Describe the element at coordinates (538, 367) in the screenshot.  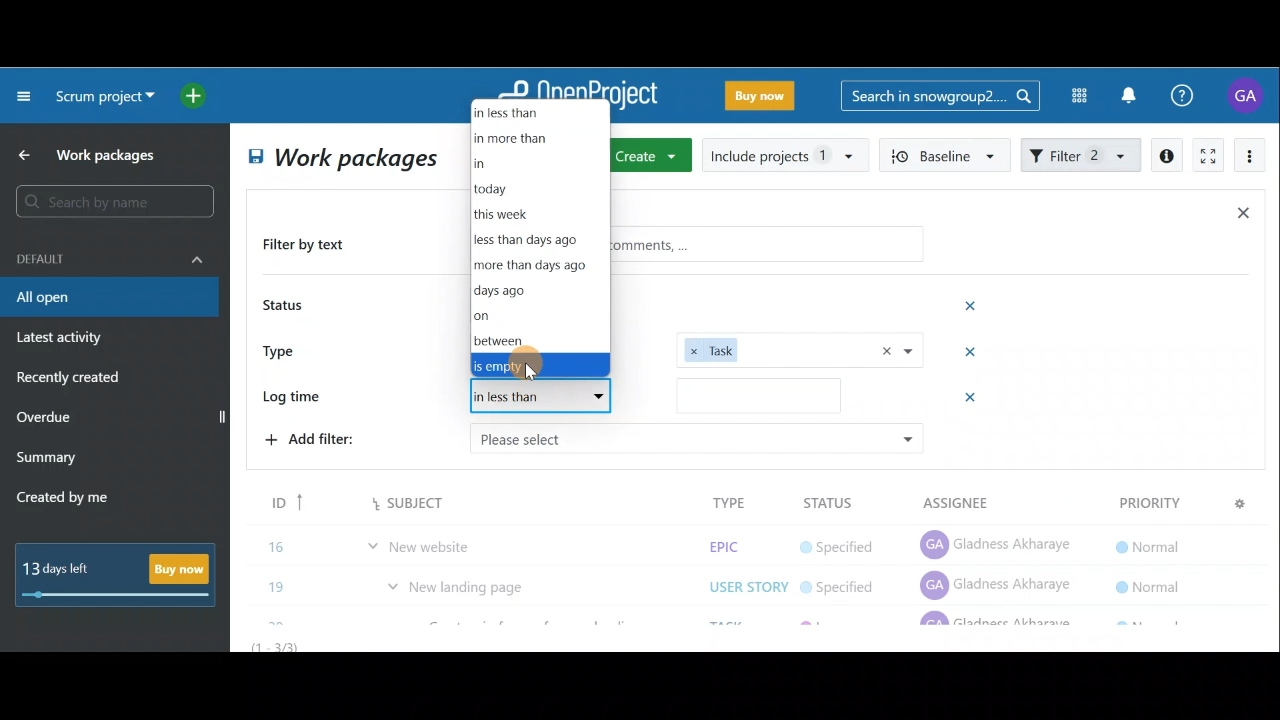
I see `is empty` at that location.